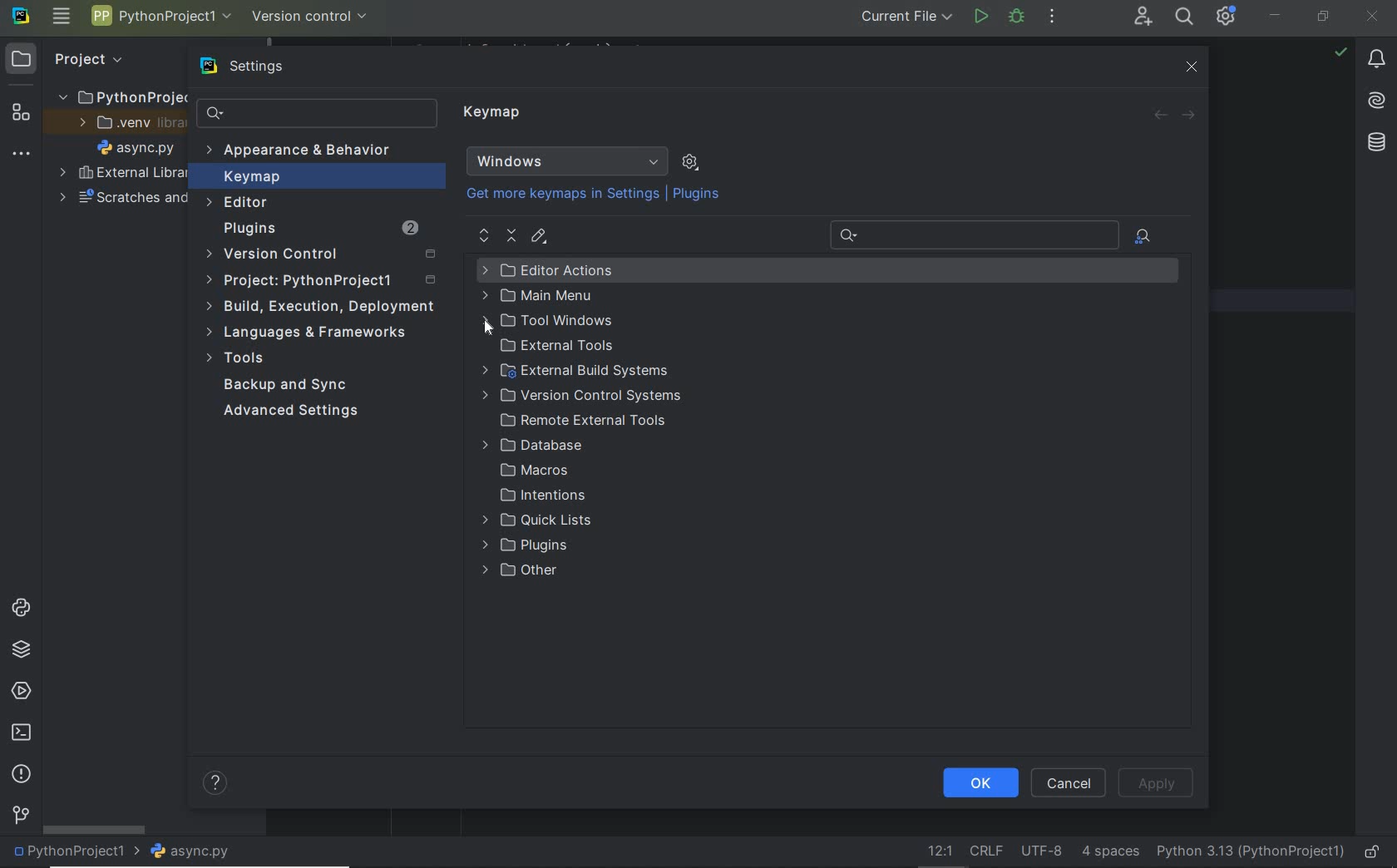 The height and width of the screenshot is (868, 1397). What do you see at coordinates (1190, 114) in the screenshot?
I see `forward` at bounding box center [1190, 114].